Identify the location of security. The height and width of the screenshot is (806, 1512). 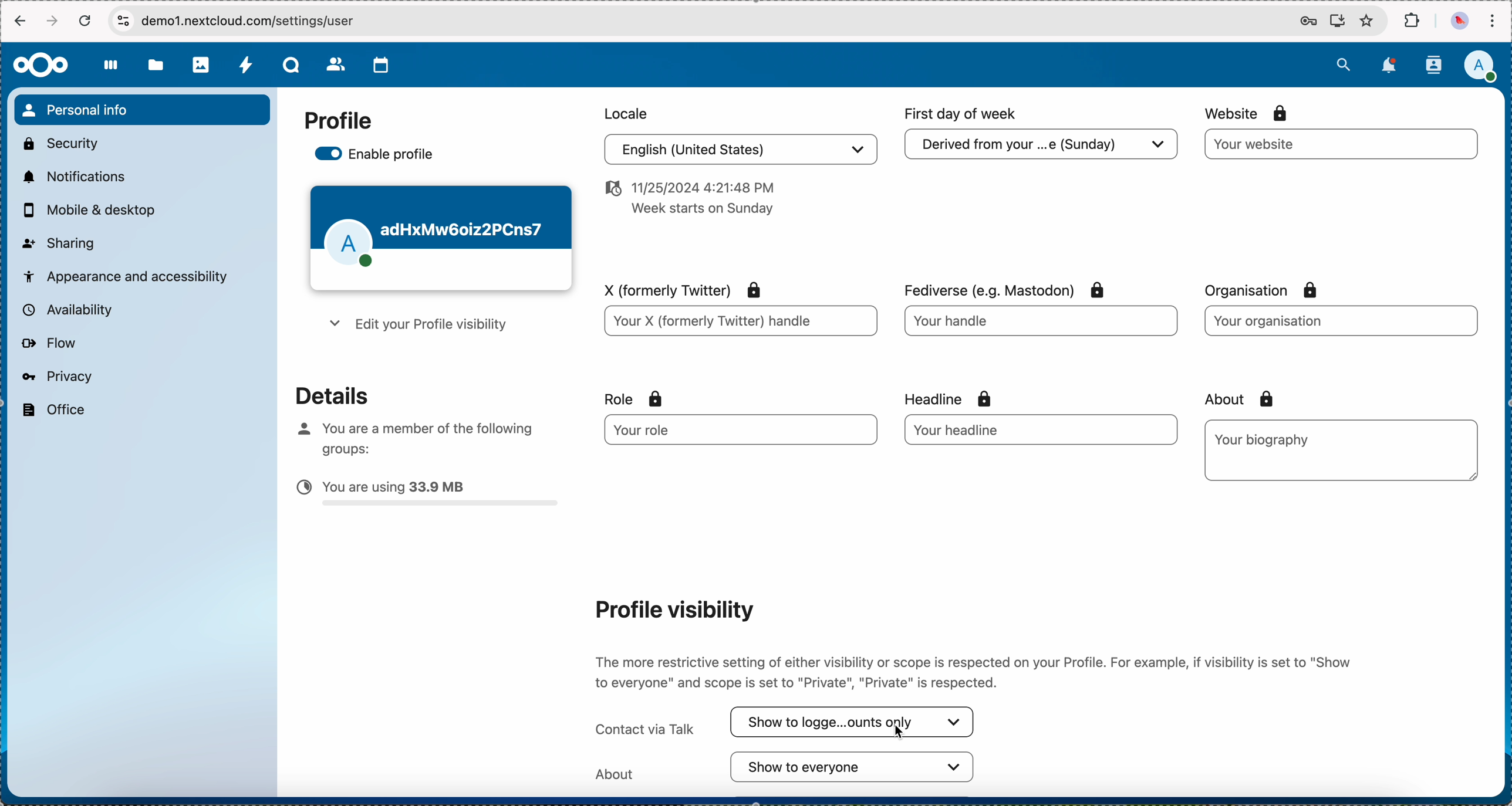
(59, 142).